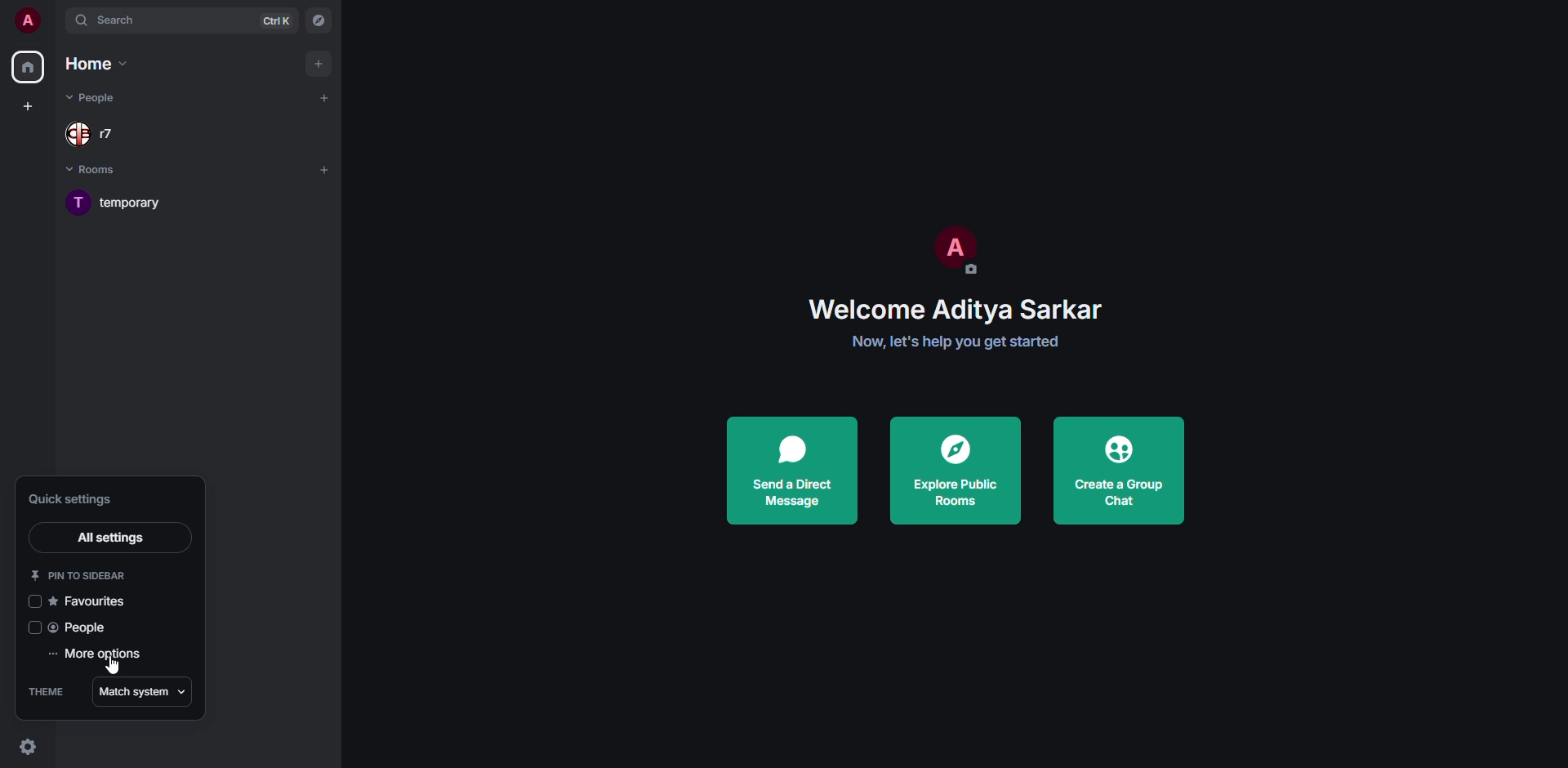  Describe the element at coordinates (30, 68) in the screenshot. I see `home` at that location.